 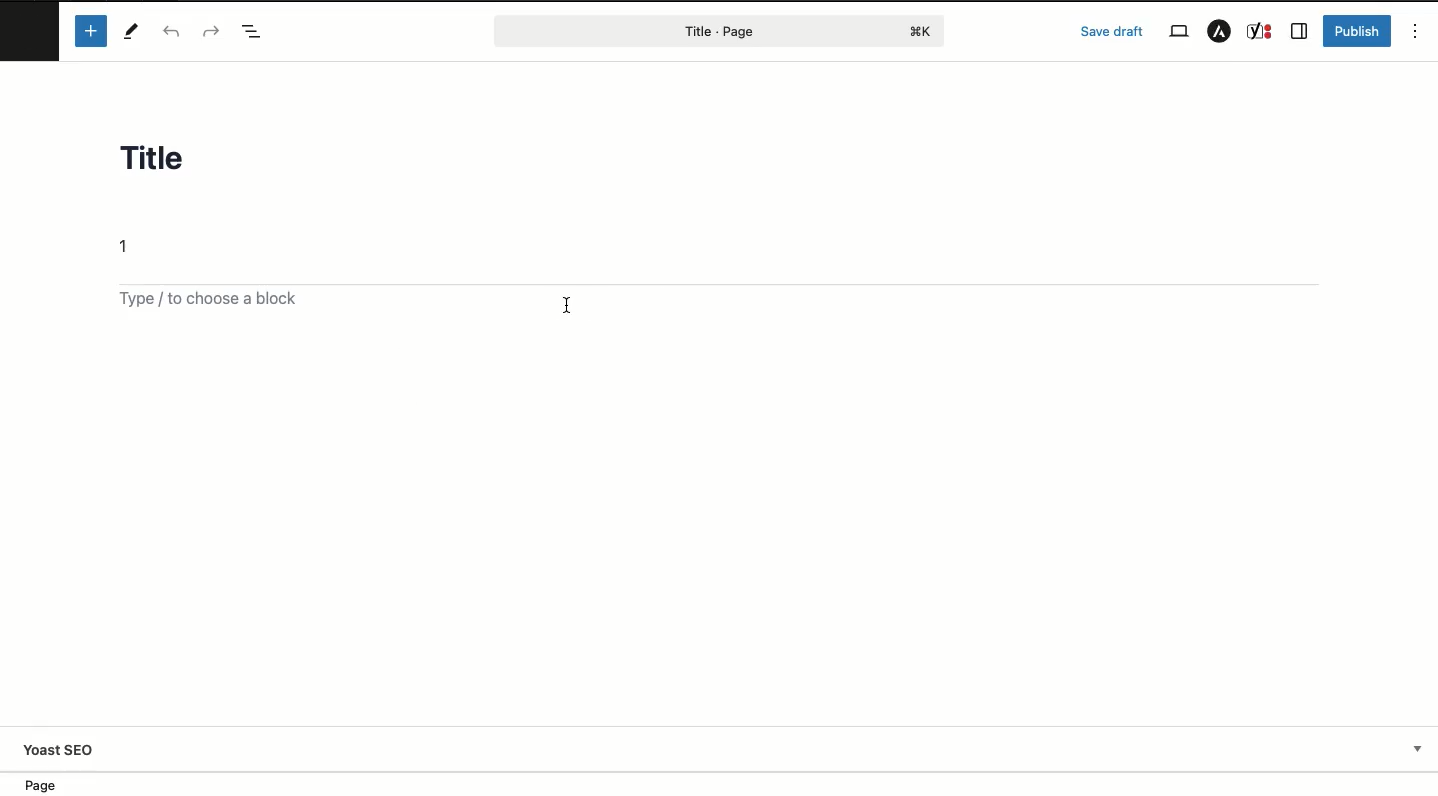 What do you see at coordinates (1359, 31) in the screenshot?
I see `Publish` at bounding box center [1359, 31].